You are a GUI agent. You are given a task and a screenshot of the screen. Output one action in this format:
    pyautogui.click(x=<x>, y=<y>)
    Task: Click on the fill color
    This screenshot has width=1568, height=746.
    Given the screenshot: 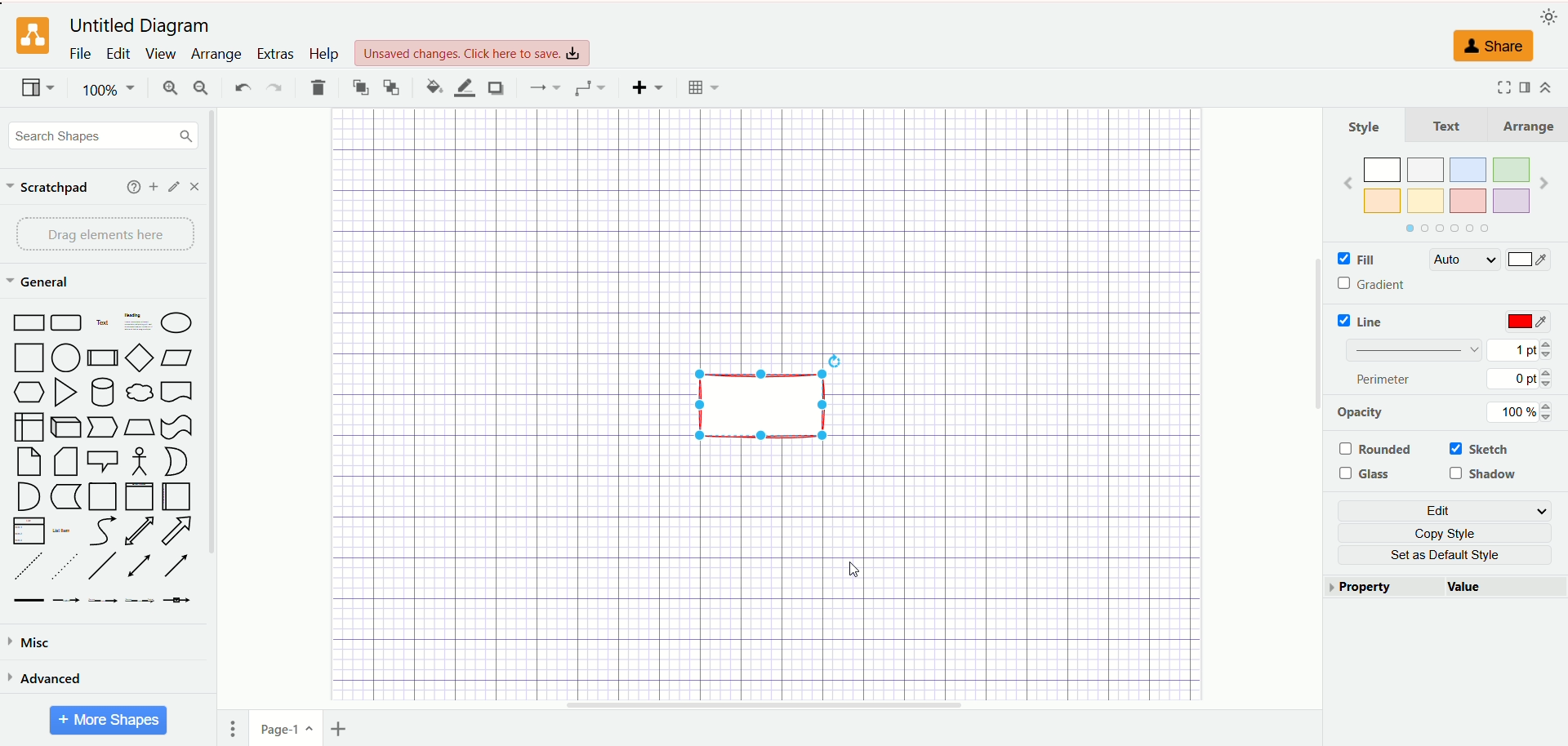 What is the action you would take?
    pyautogui.click(x=431, y=87)
    